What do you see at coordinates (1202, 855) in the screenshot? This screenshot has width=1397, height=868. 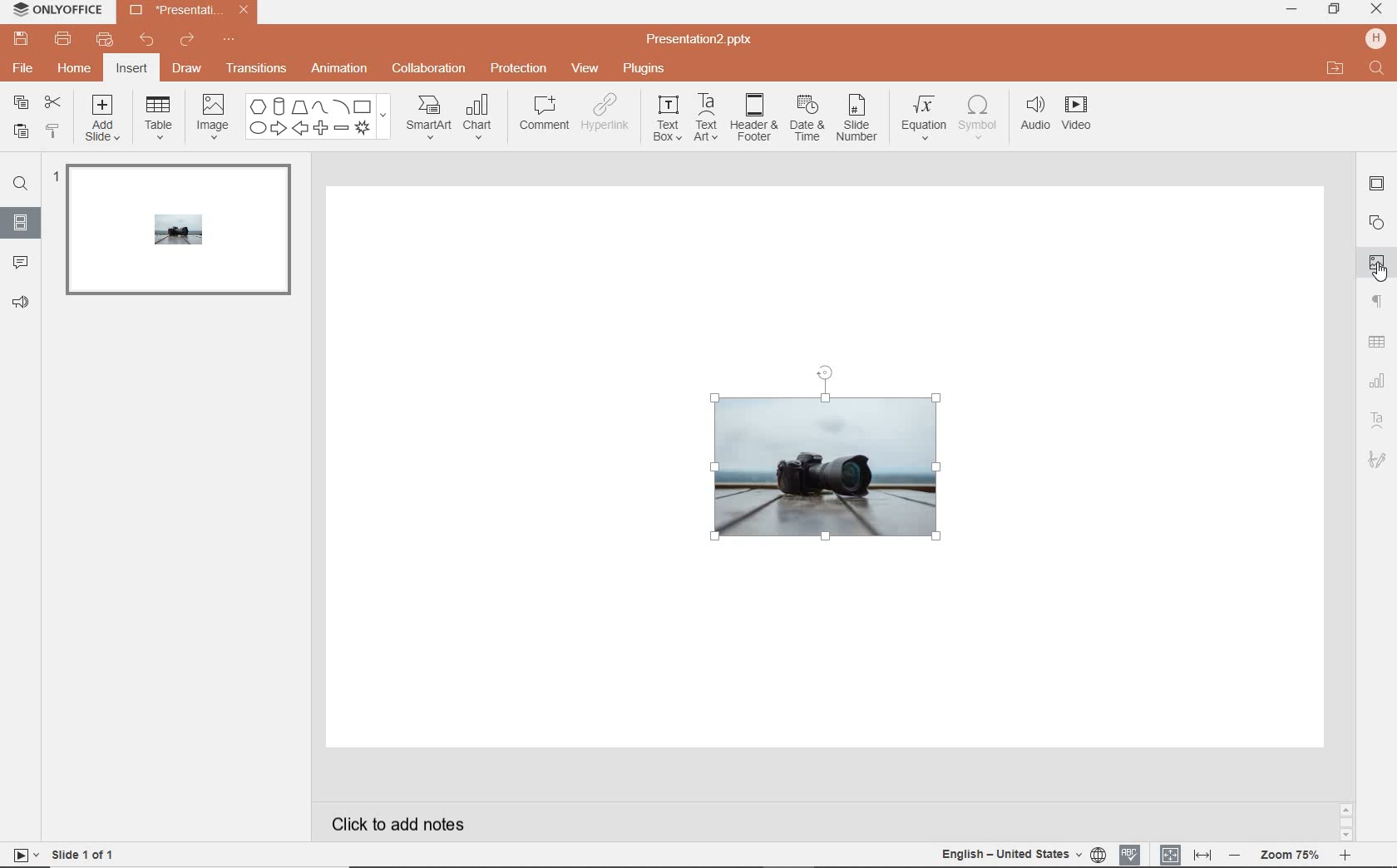 I see `fit to width` at bounding box center [1202, 855].